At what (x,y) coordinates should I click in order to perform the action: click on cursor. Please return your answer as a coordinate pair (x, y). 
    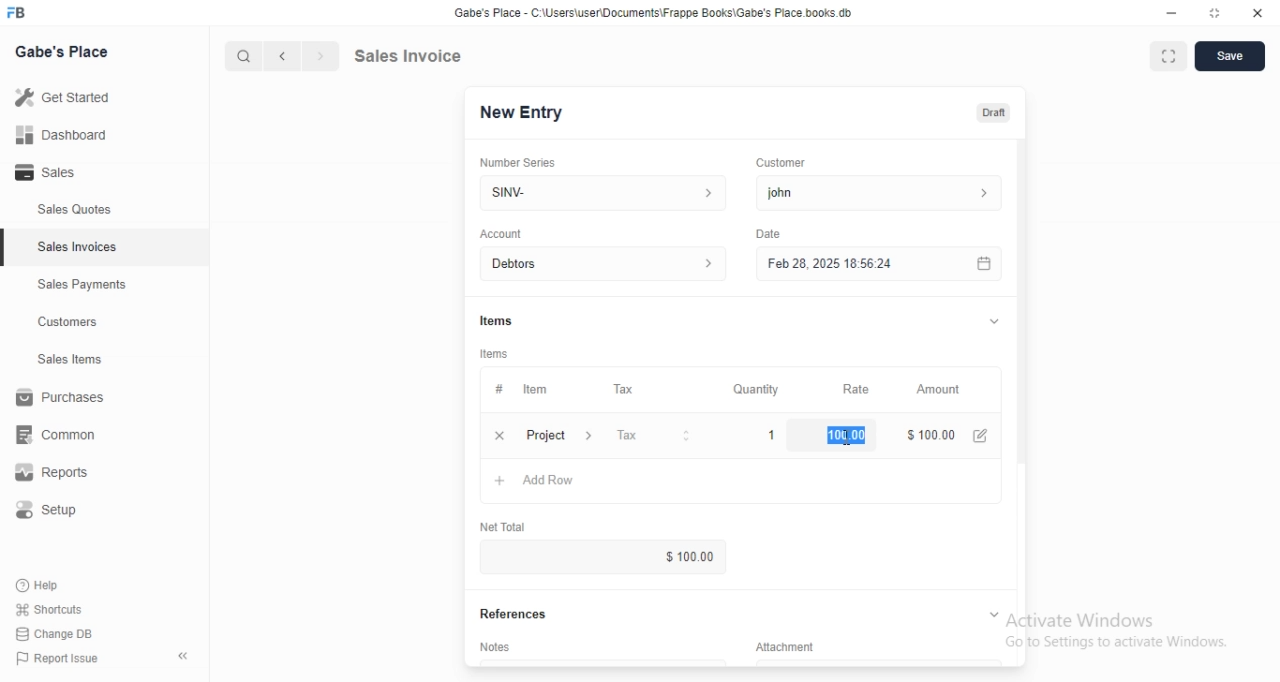
    Looking at the image, I should click on (850, 441).